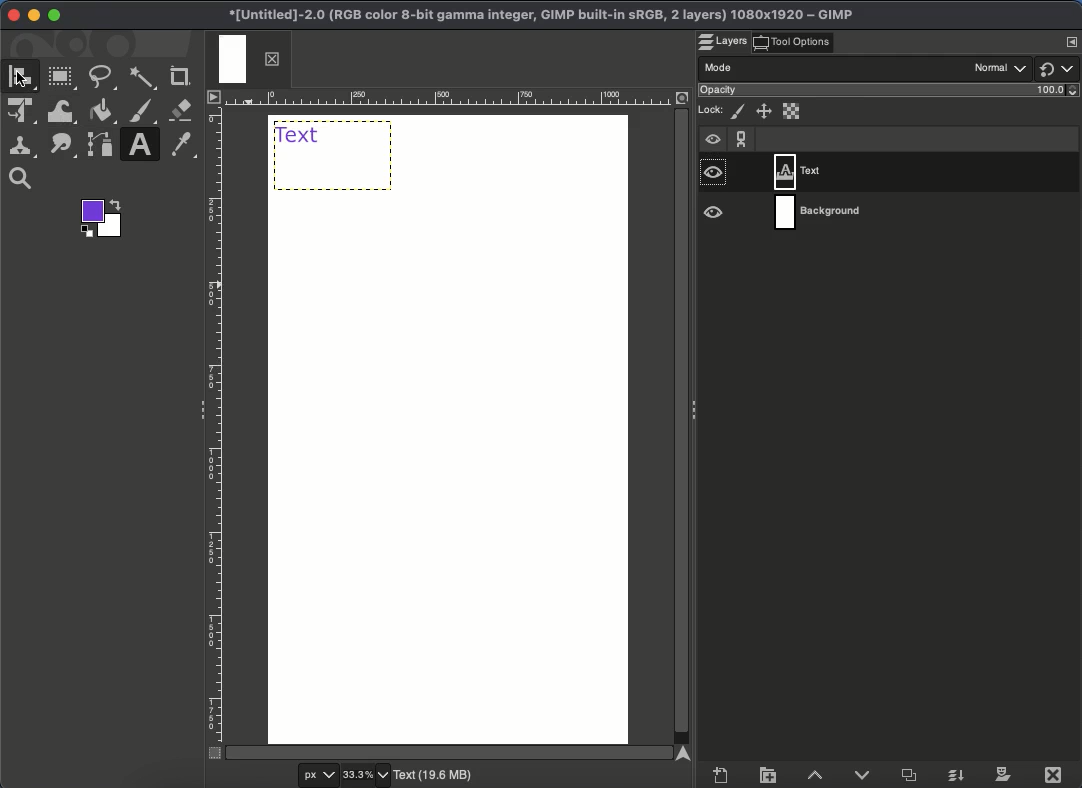 The width and height of the screenshot is (1082, 788). What do you see at coordinates (1071, 42) in the screenshot?
I see `Menu` at bounding box center [1071, 42].